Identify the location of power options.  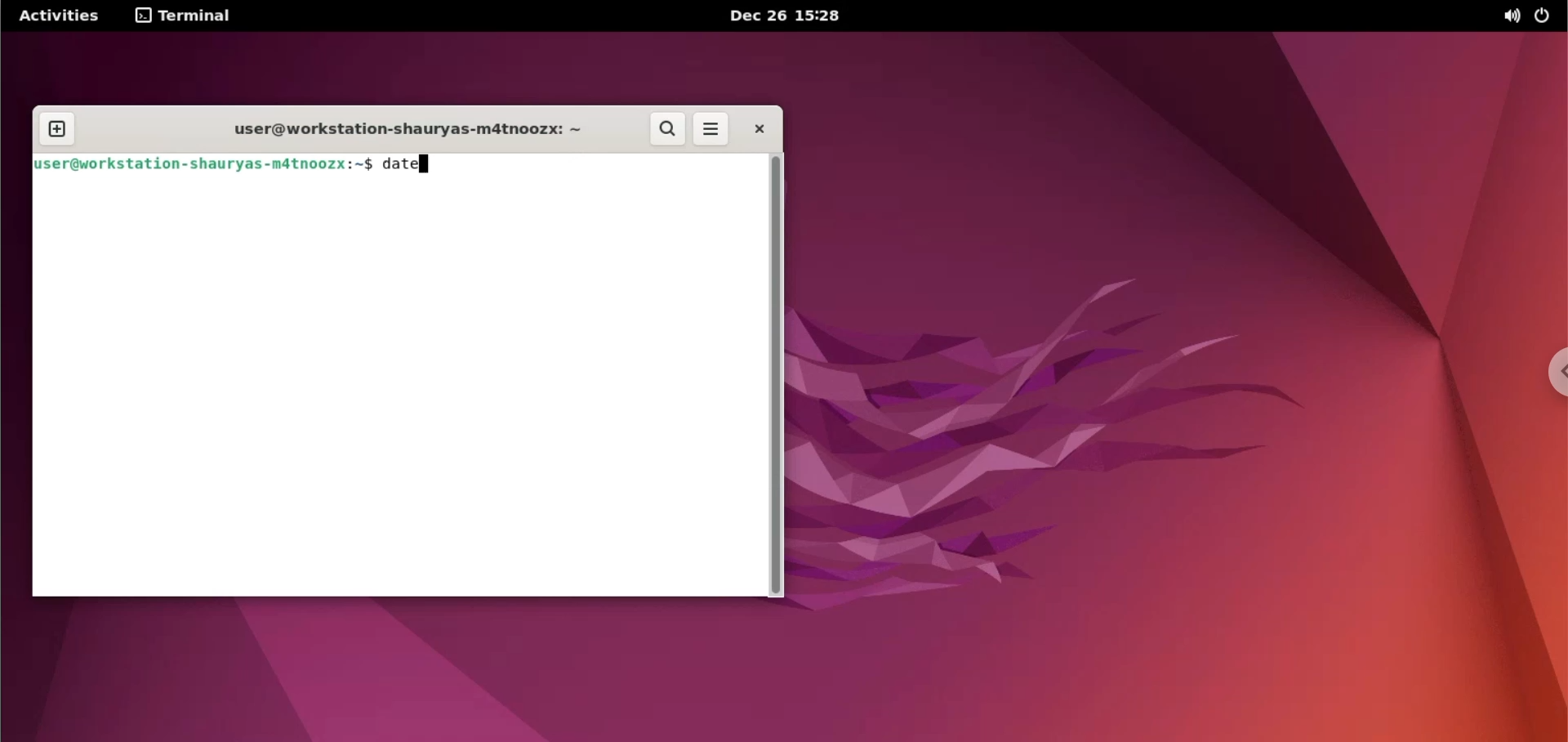
(1541, 16).